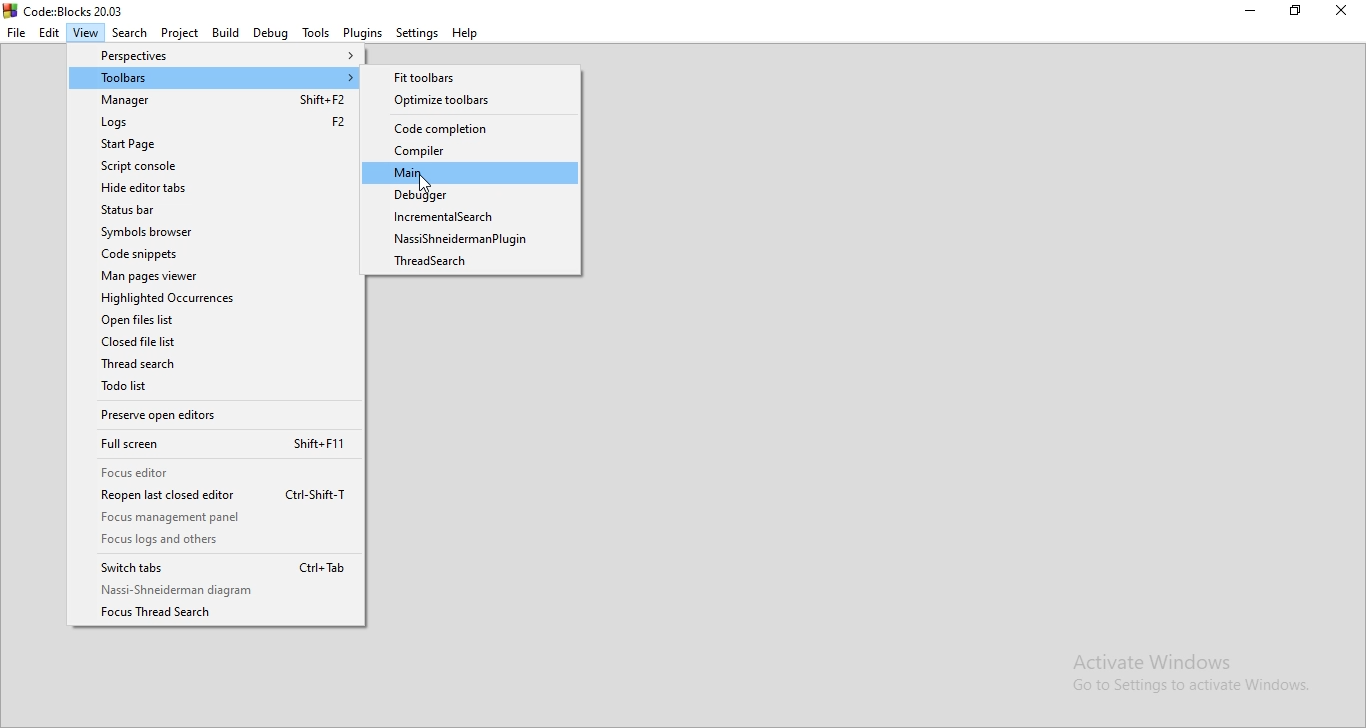 This screenshot has width=1366, height=728. I want to click on Focus editor, so click(222, 475).